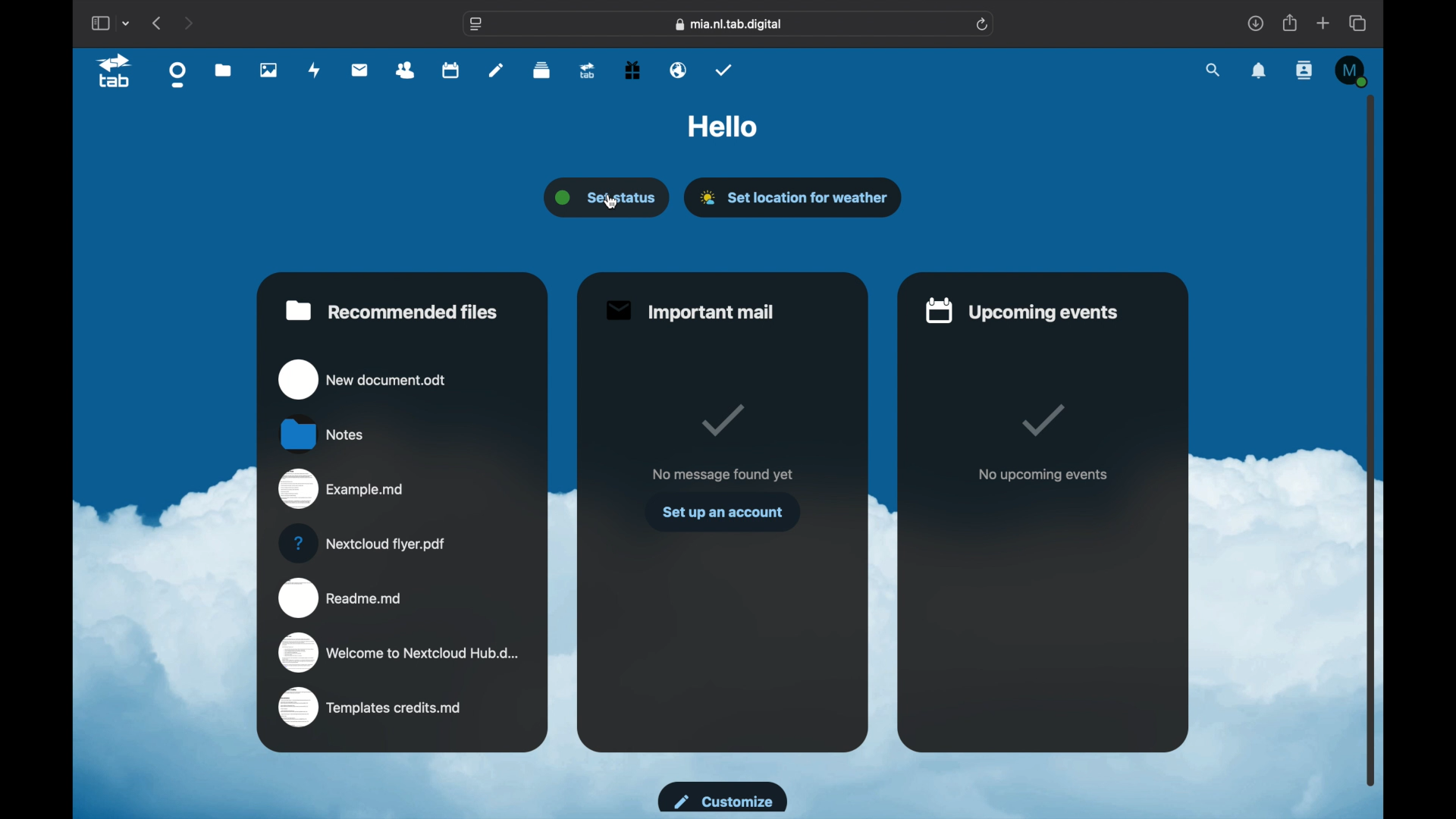  Describe the element at coordinates (370, 708) in the screenshot. I see `templates` at that location.